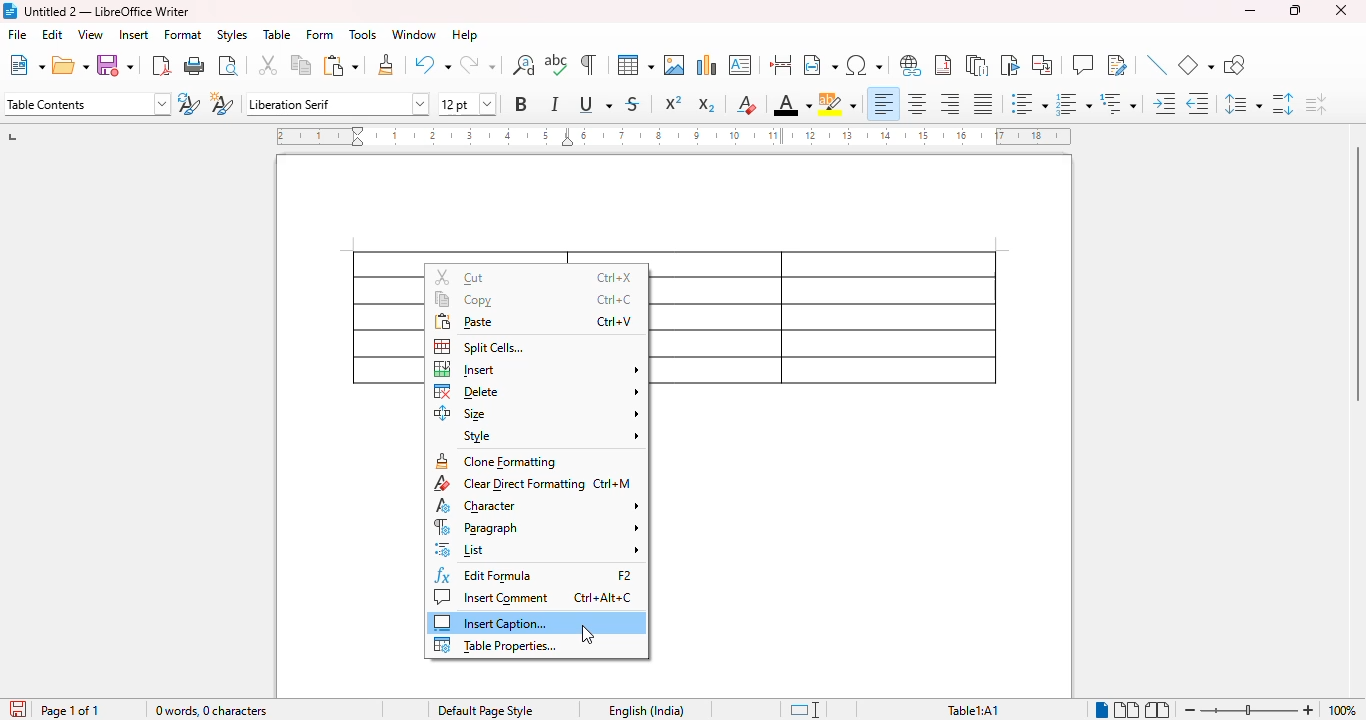  Describe the element at coordinates (342, 66) in the screenshot. I see `paste` at that location.